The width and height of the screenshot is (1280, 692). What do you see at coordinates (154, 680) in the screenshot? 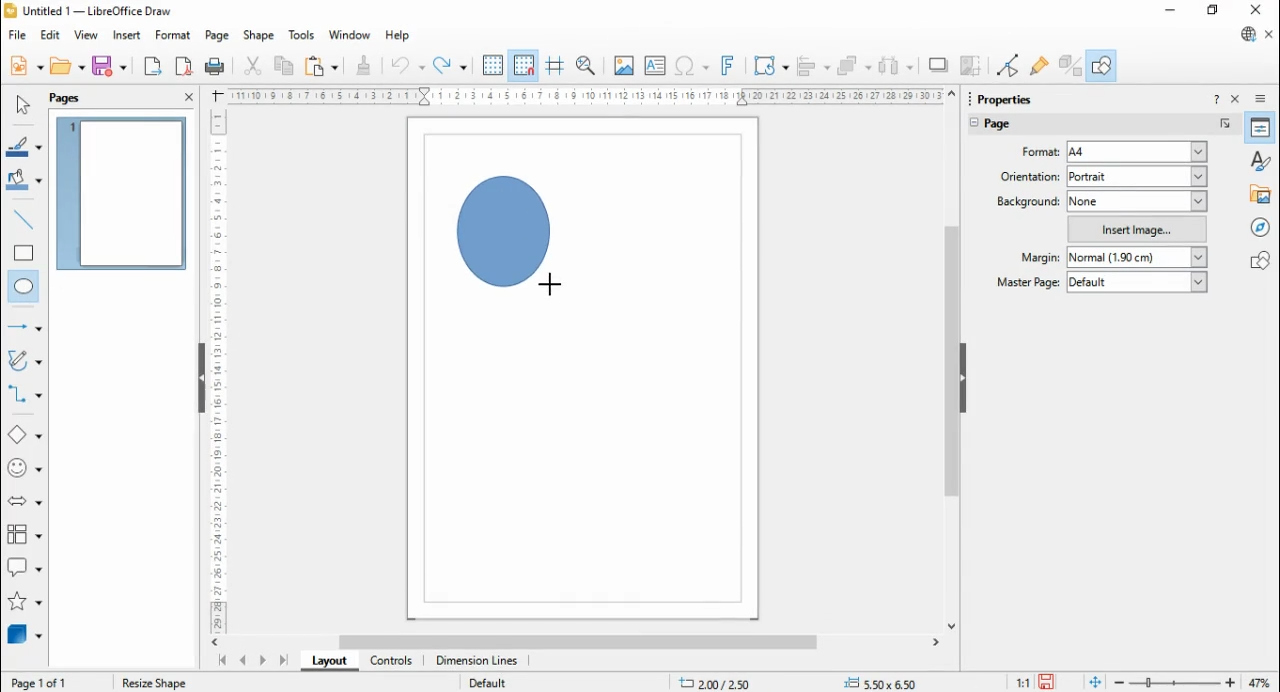
I see `Resize shape` at bounding box center [154, 680].